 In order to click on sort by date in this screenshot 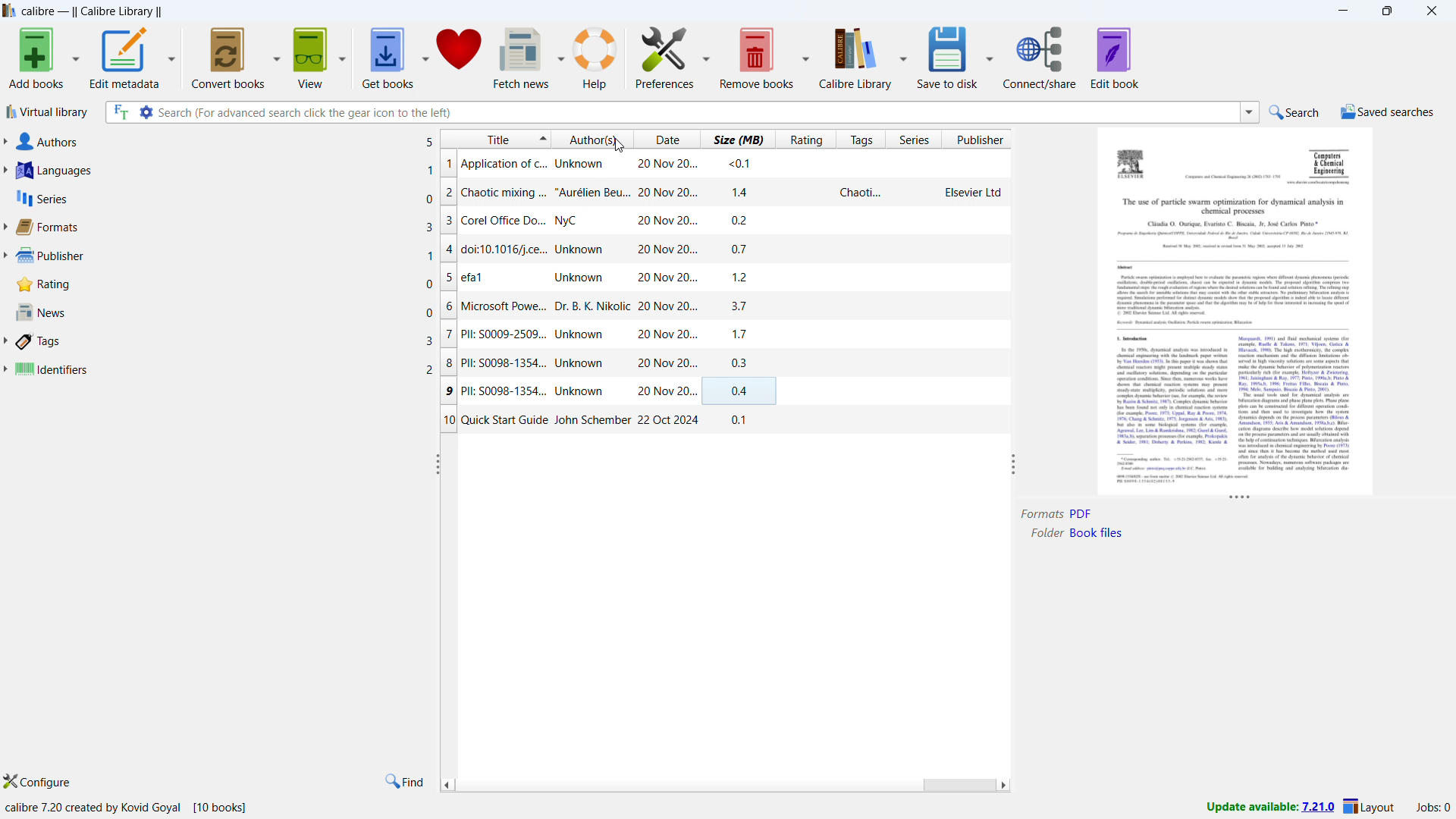, I will do `click(667, 140)`.